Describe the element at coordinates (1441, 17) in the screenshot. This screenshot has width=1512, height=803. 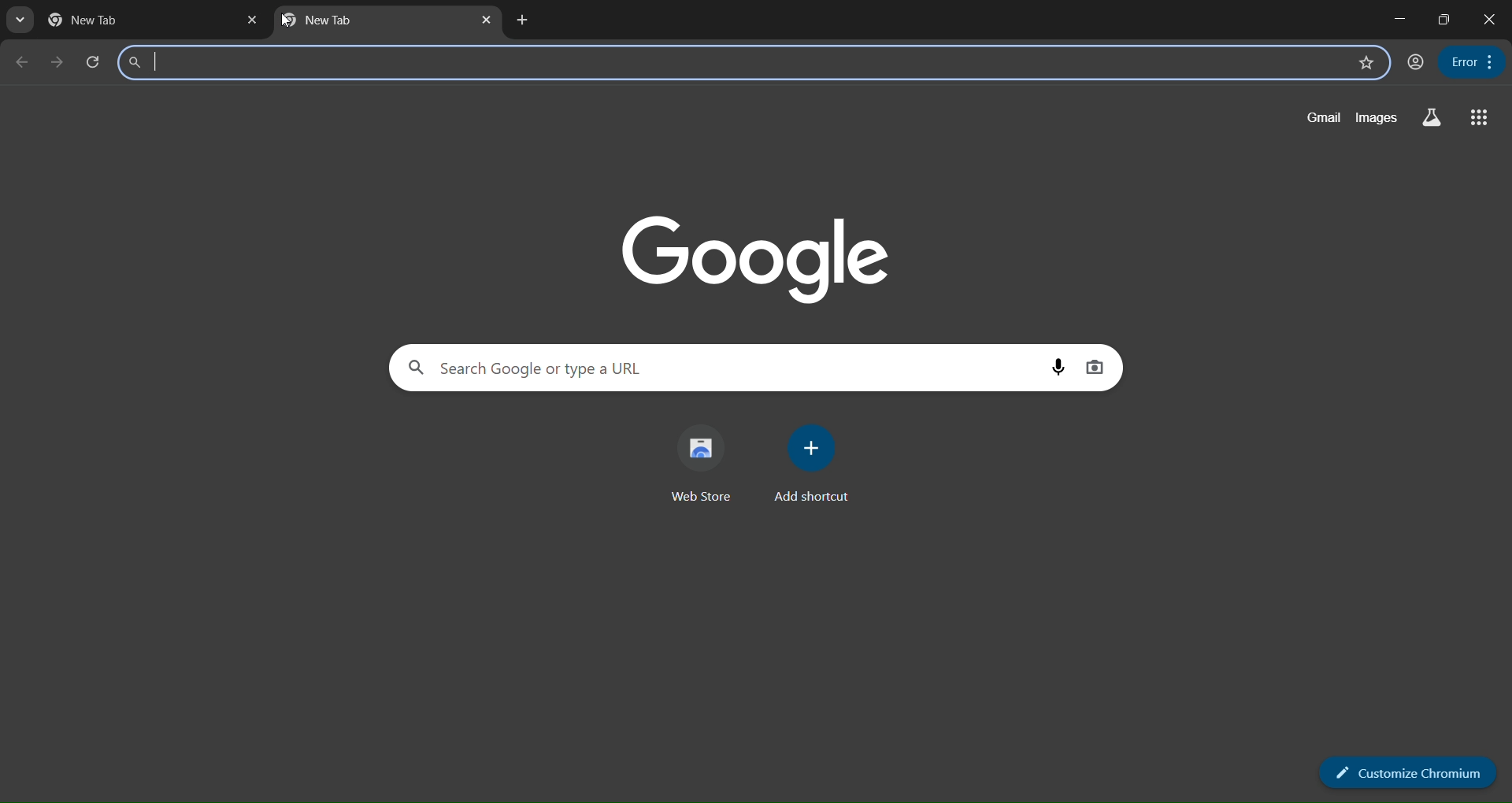
I see `maximize` at that location.